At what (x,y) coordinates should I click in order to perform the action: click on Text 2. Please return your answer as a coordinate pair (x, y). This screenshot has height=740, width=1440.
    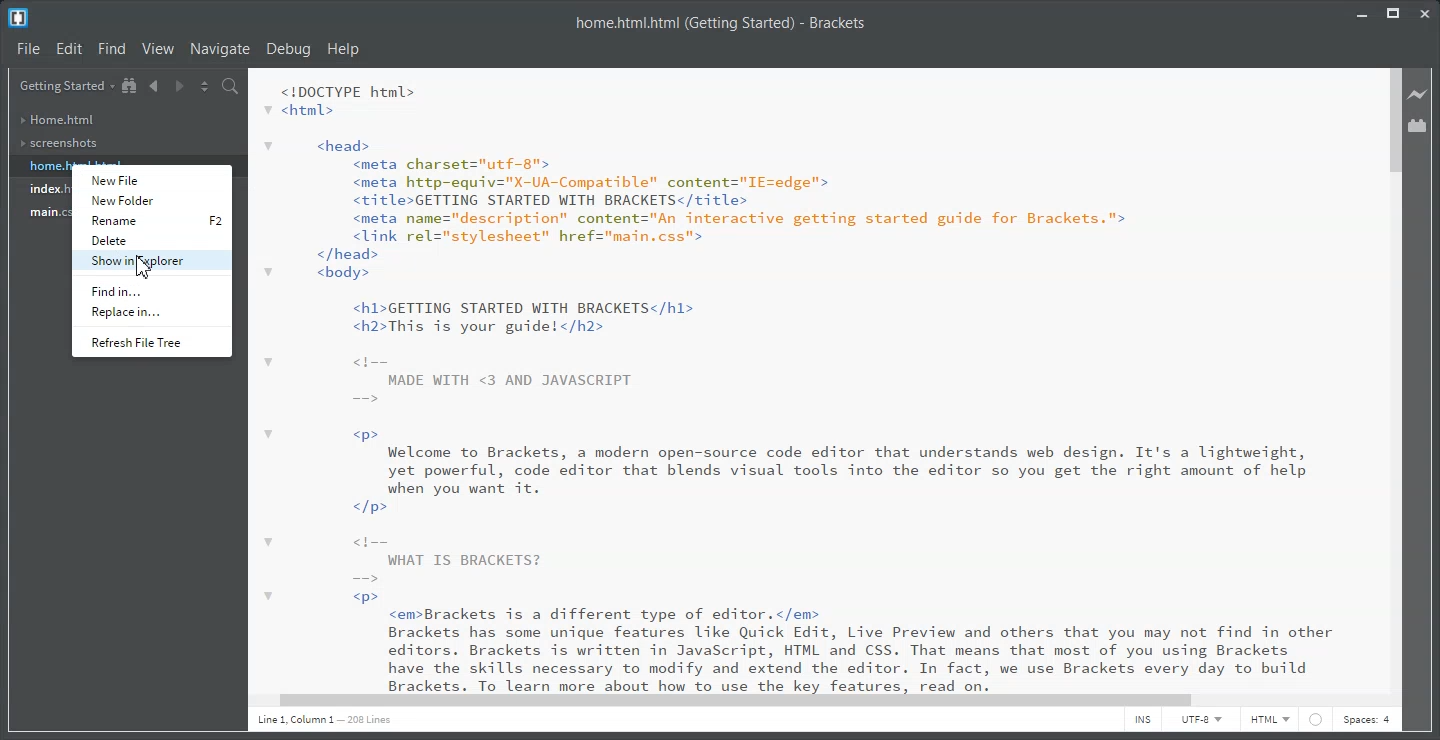
    Looking at the image, I should click on (806, 380).